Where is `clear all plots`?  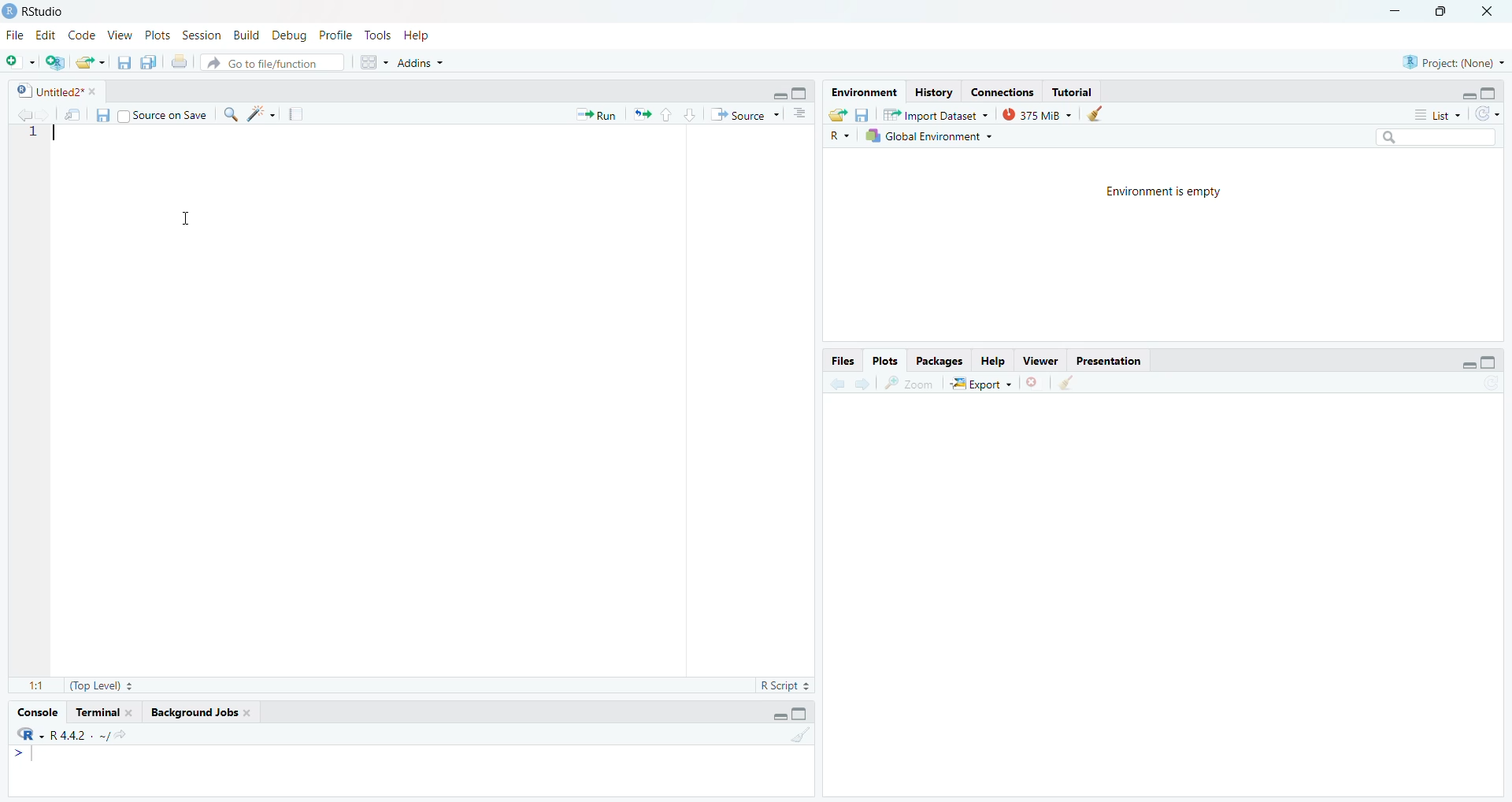
clear all plots is located at coordinates (1065, 383).